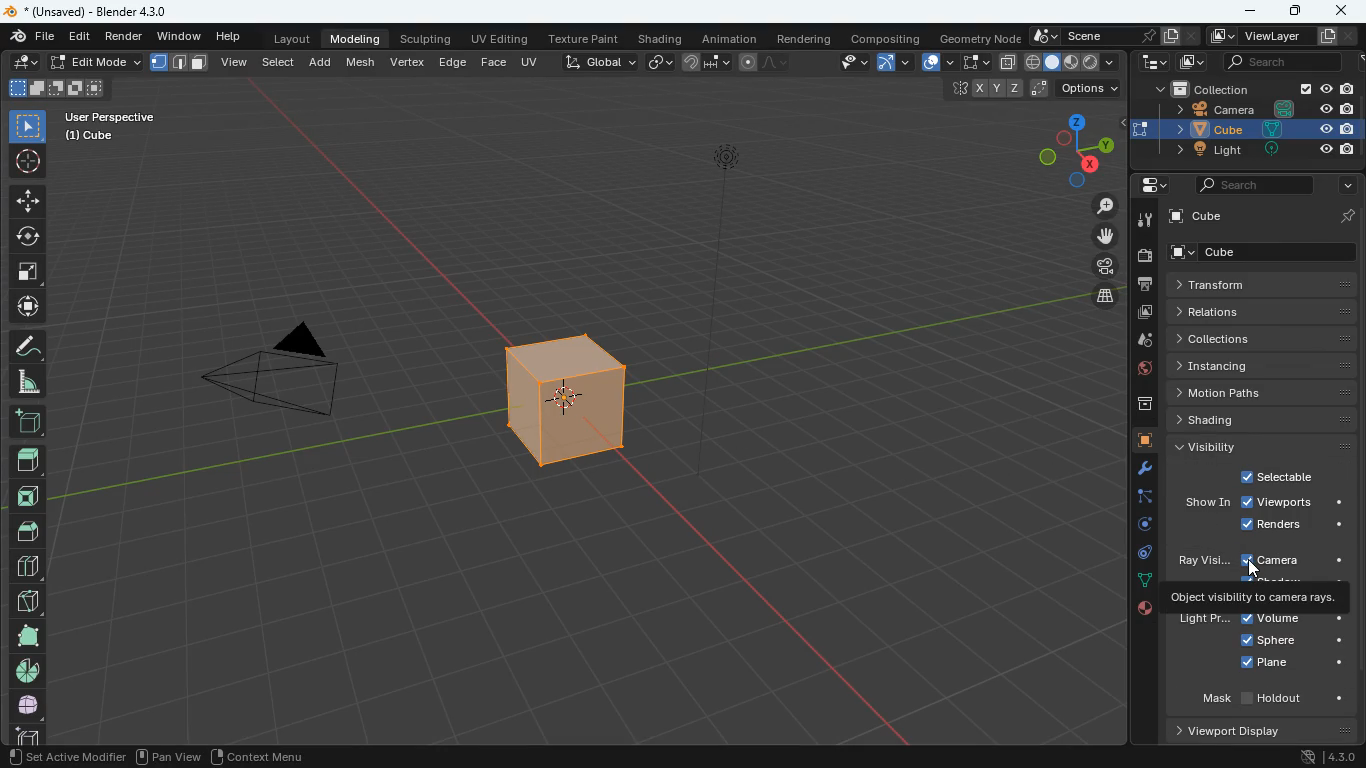  What do you see at coordinates (884, 38) in the screenshot?
I see `compositing` at bounding box center [884, 38].